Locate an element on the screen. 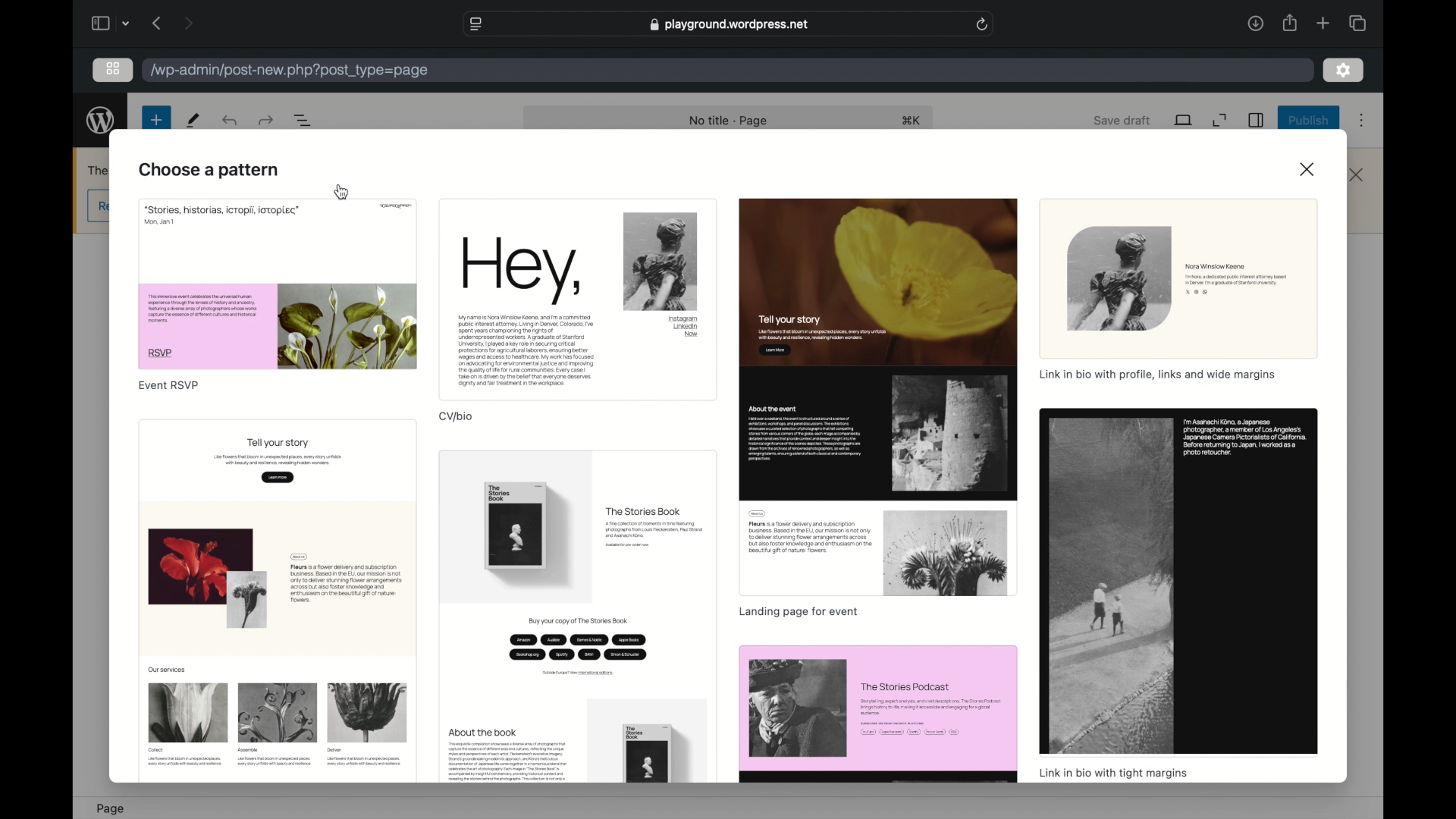 The width and height of the screenshot is (1456, 819). downloads is located at coordinates (1256, 24).